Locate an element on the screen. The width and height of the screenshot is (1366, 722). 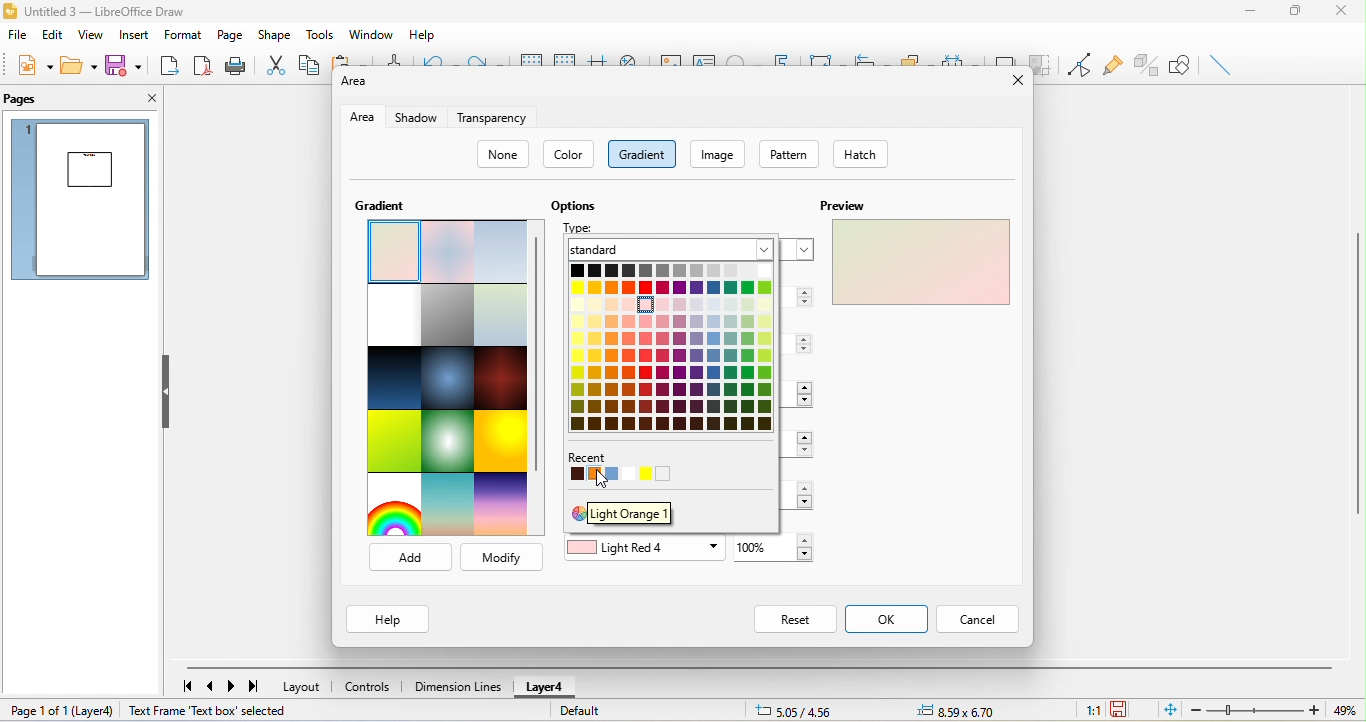
save is located at coordinates (124, 64).